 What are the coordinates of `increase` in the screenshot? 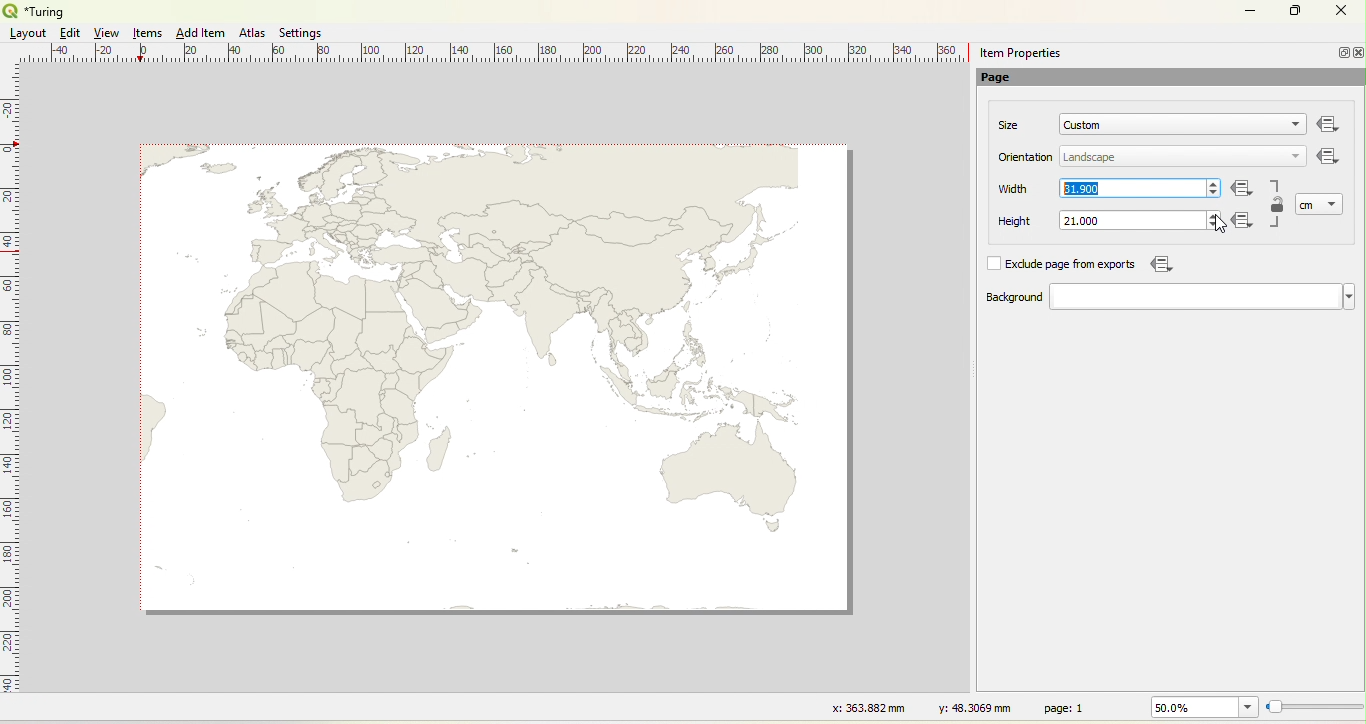 It's located at (1215, 182).